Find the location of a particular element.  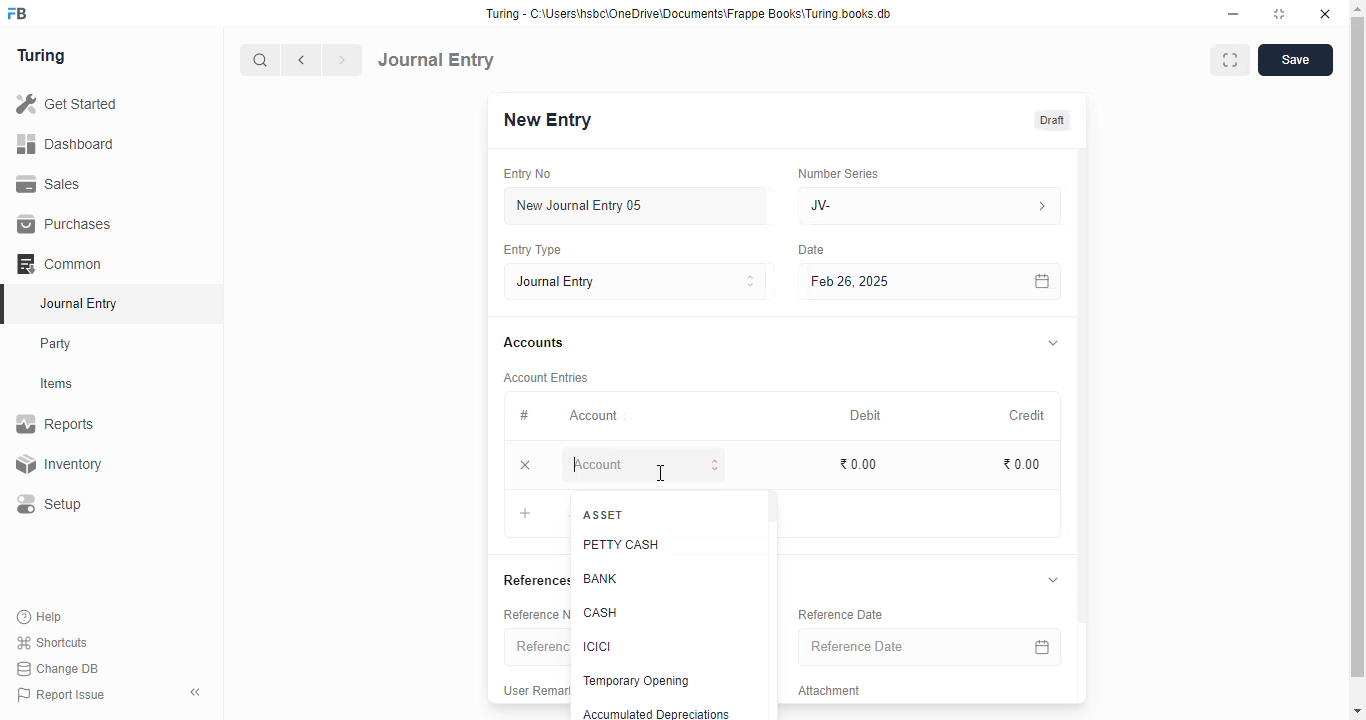

setup is located at coordinates (51, 505).